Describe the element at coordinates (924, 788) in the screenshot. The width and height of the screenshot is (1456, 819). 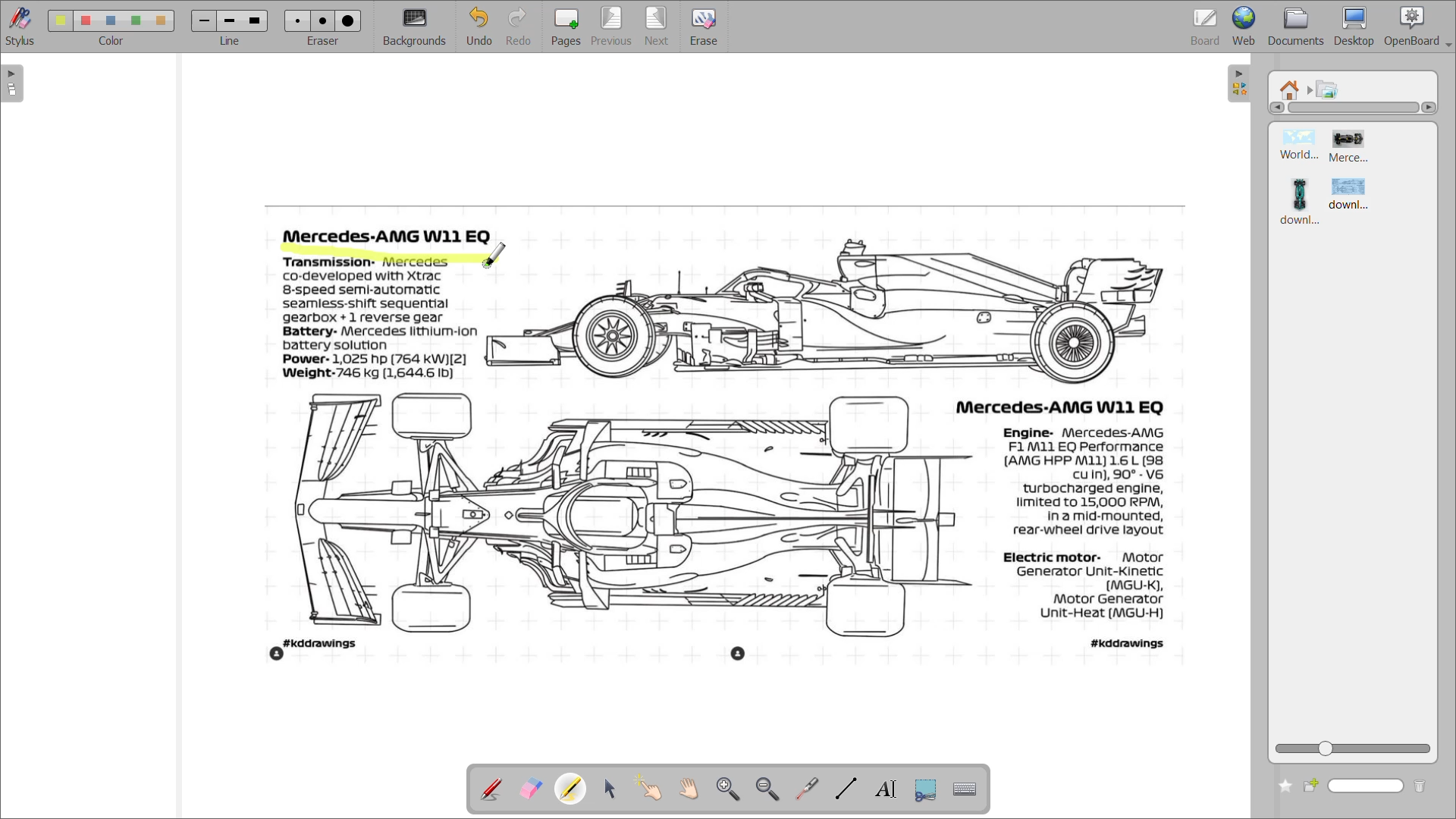
I see `capture part of screen` at that location.